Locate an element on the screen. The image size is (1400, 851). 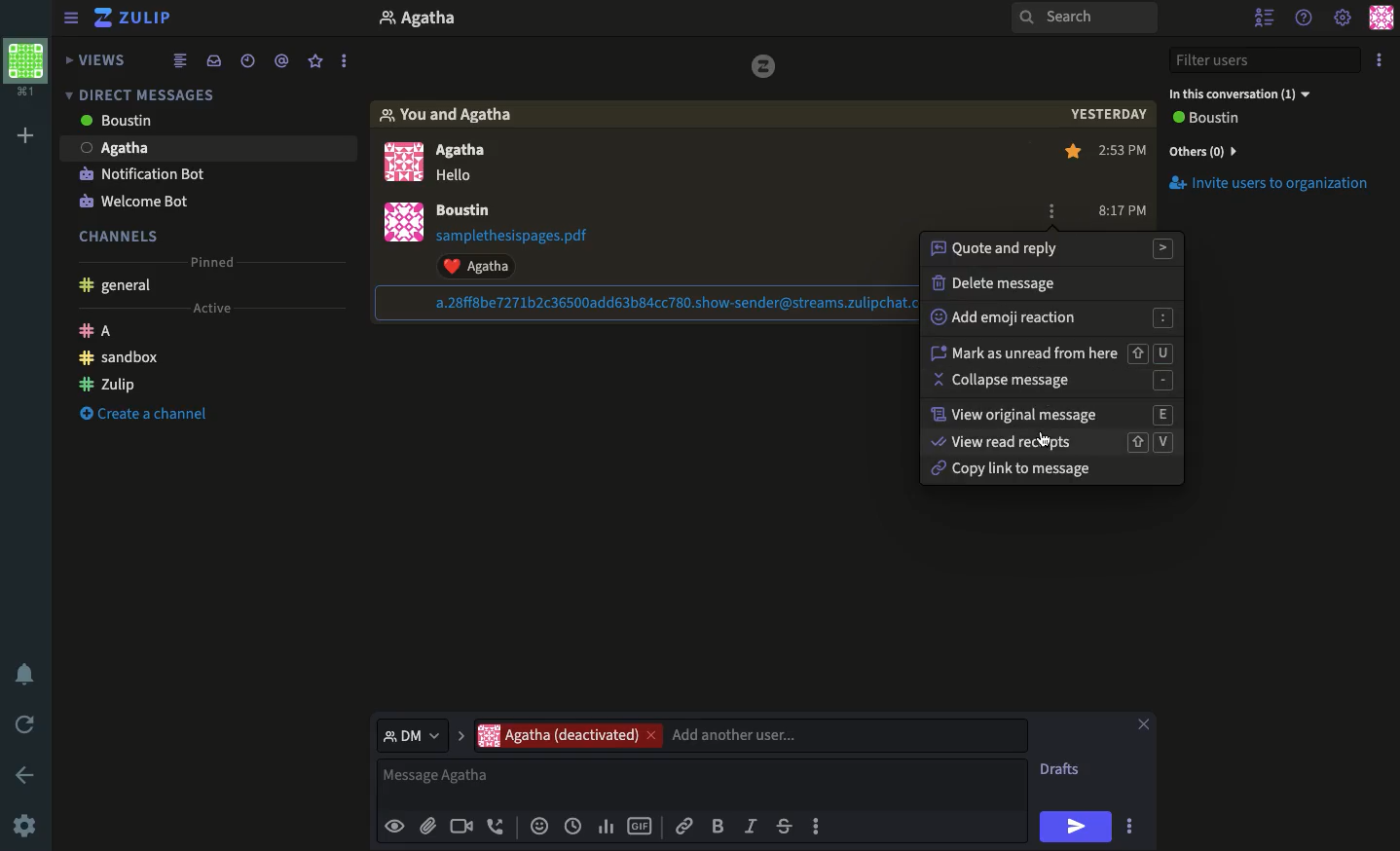
Profile is located at coordinates (409, 199).